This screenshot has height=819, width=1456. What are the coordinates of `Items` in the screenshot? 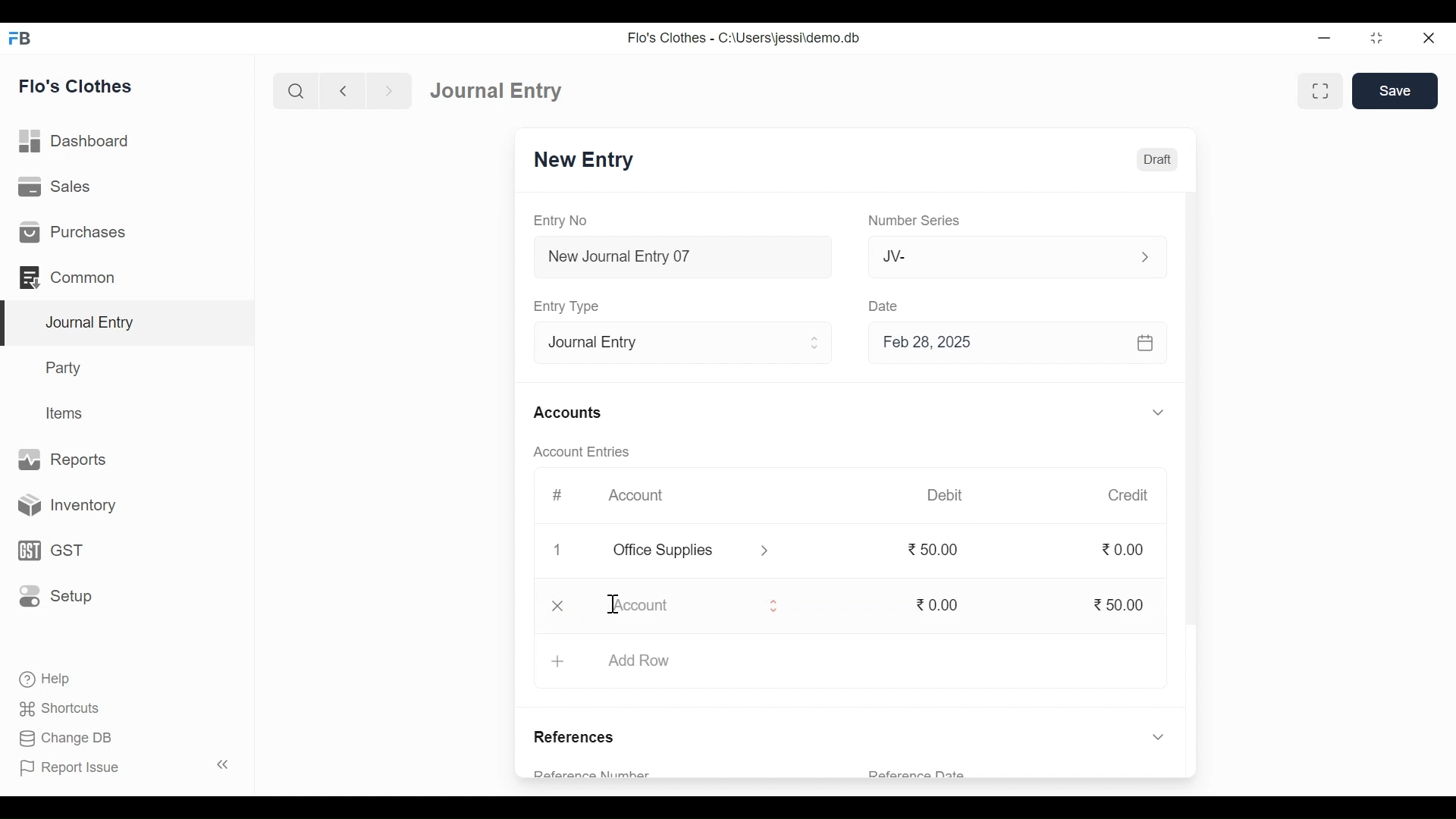 It's located at (67, 413).